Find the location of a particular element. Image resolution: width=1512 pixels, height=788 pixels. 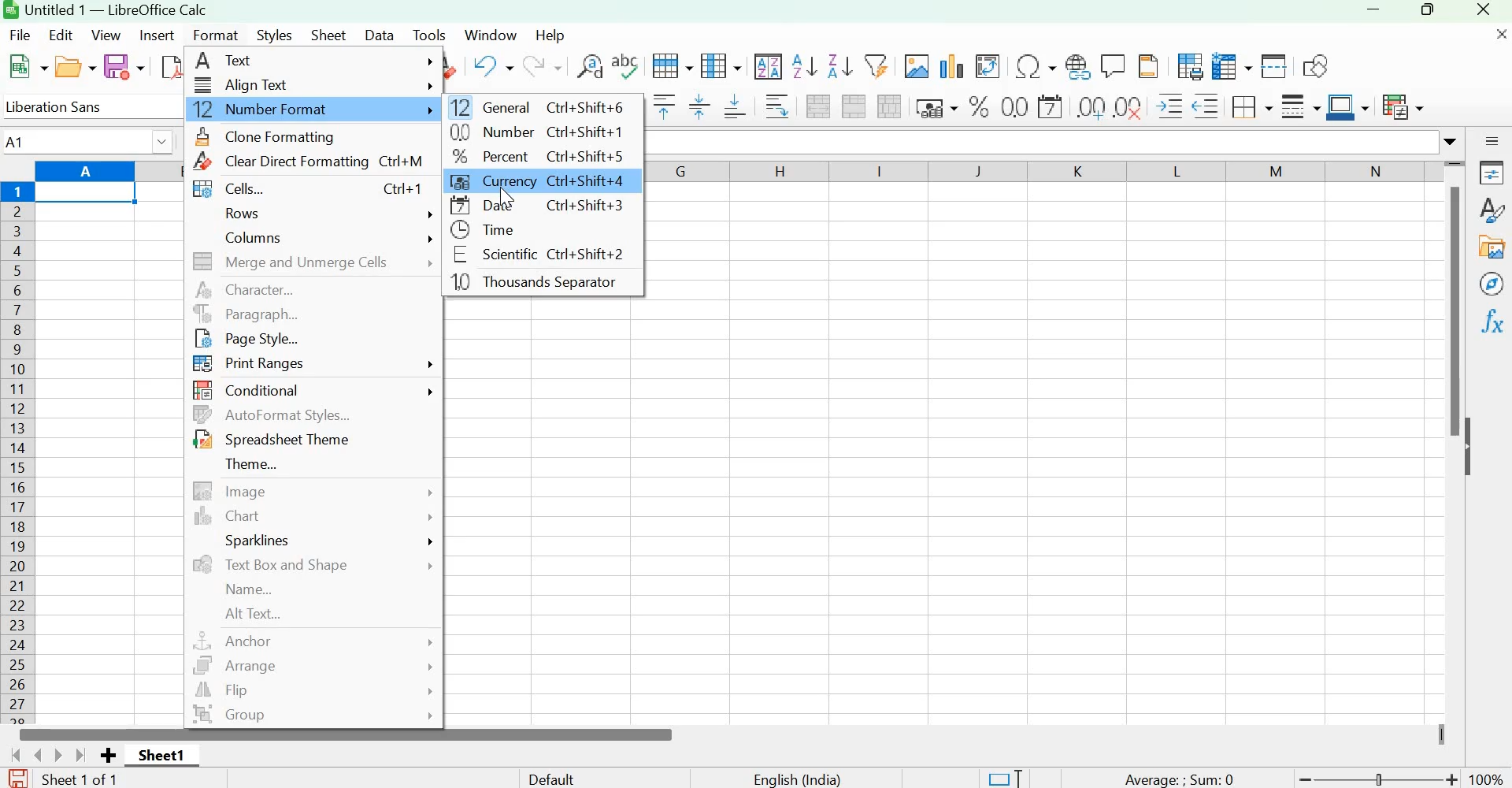

Define print area is located at coordinates (1187, 66).